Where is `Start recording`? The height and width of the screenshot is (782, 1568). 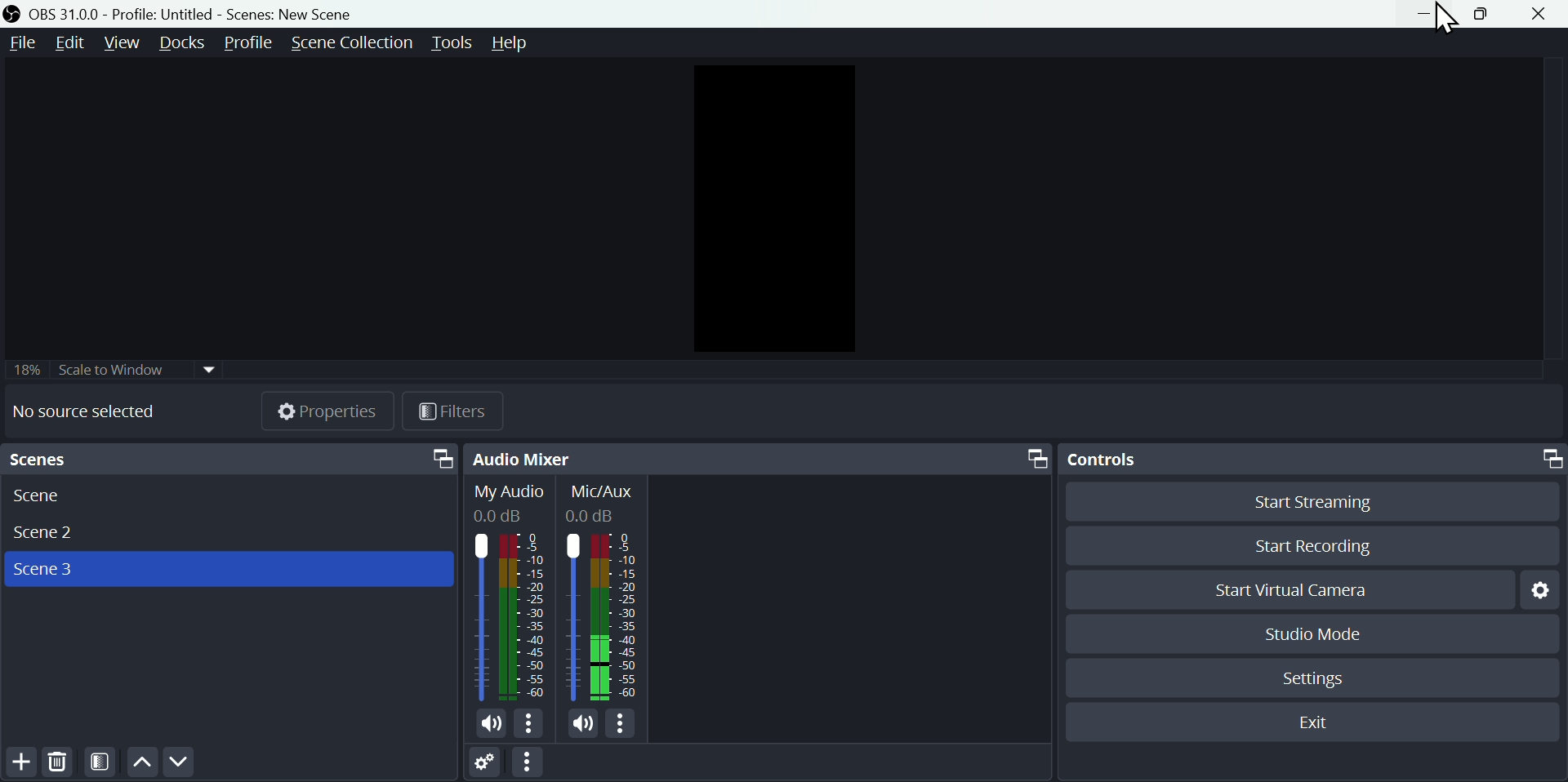
Start recording is located at coordinates (1321, 544).